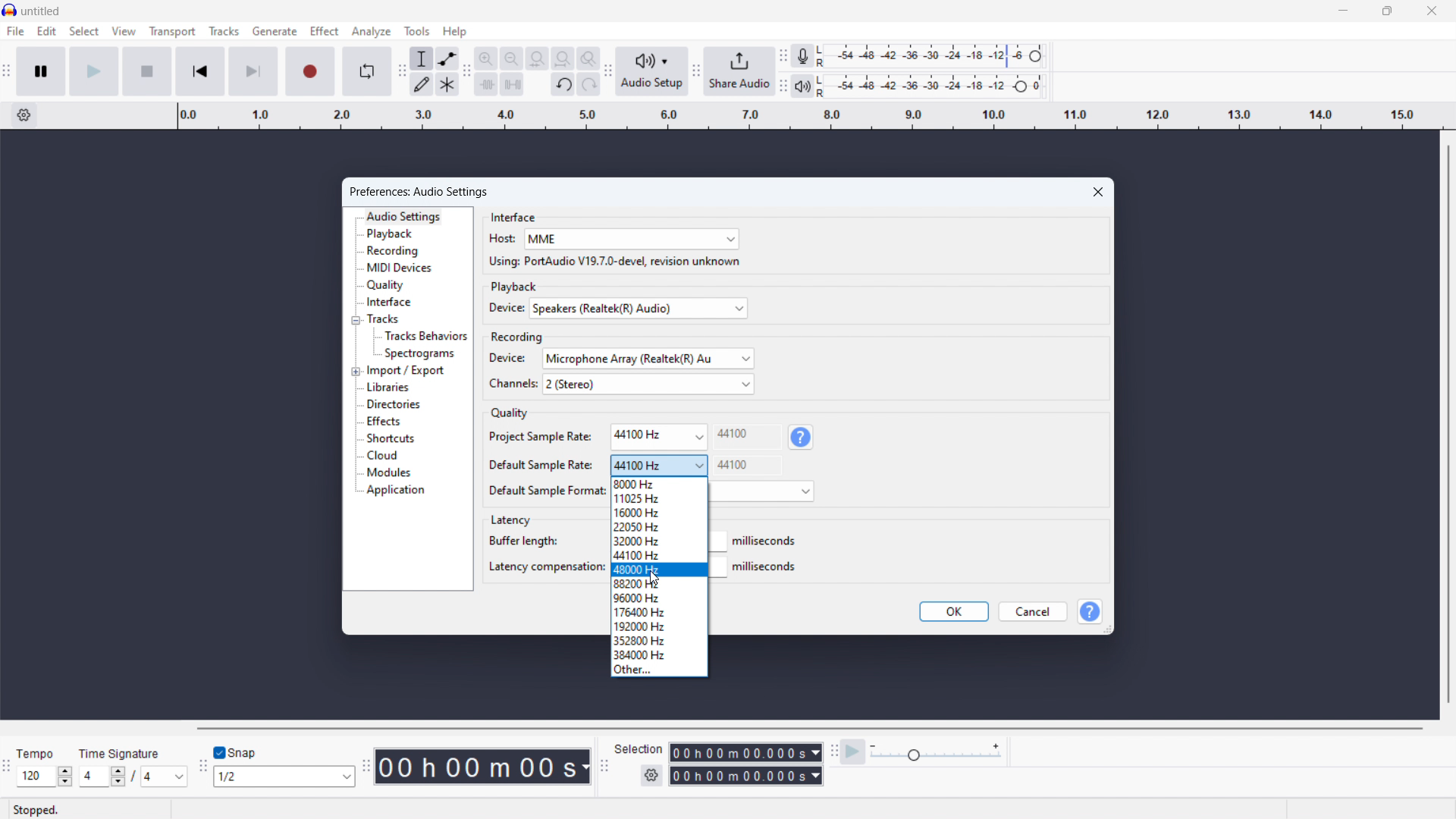  What do you see at coordinates (659, 570) in the screenshot?
I see `48000 Hz` at bounding box center [659, 570].